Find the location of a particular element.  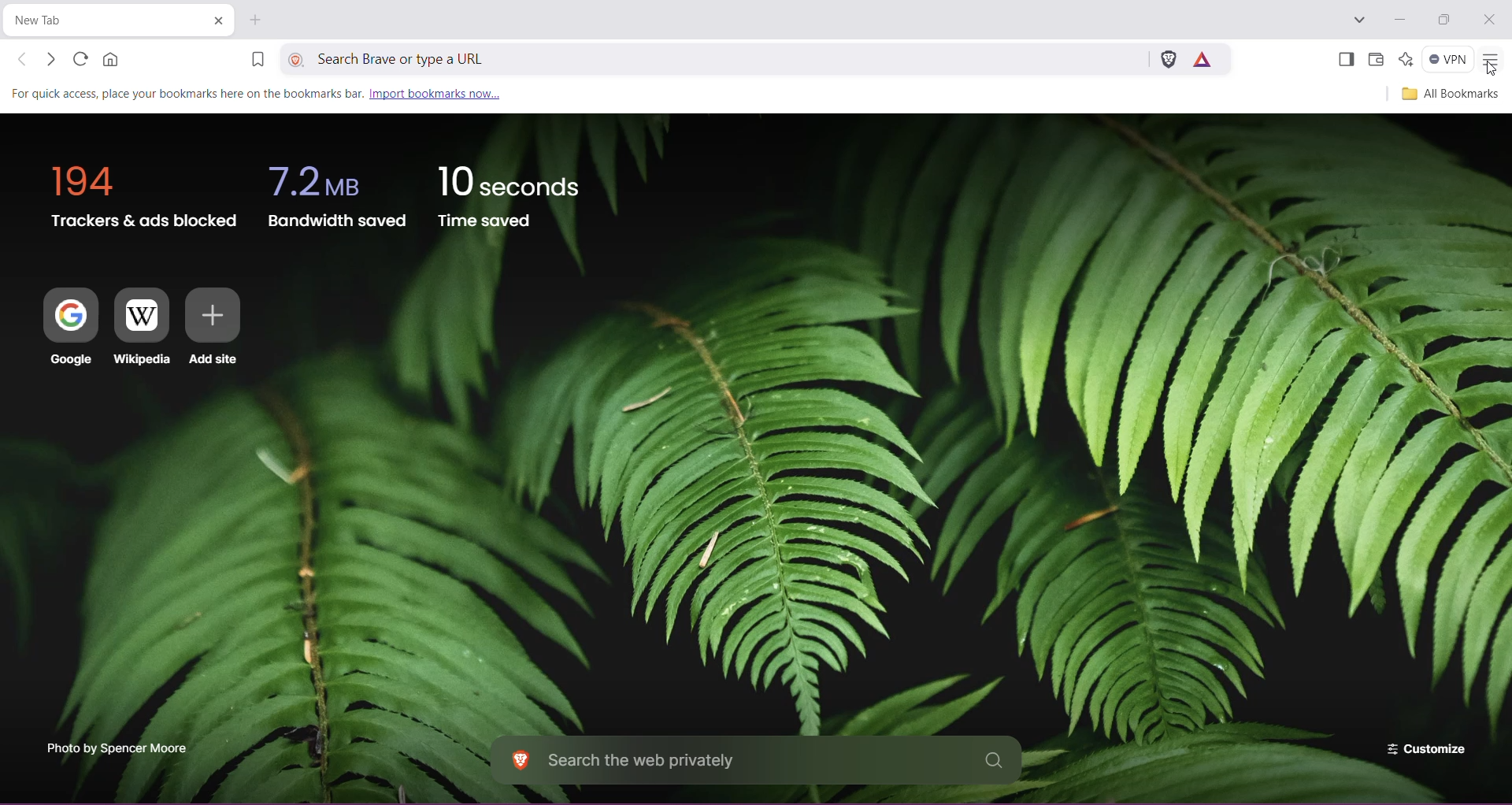

Import Bookmarks now is located at coordinates (264, 92).